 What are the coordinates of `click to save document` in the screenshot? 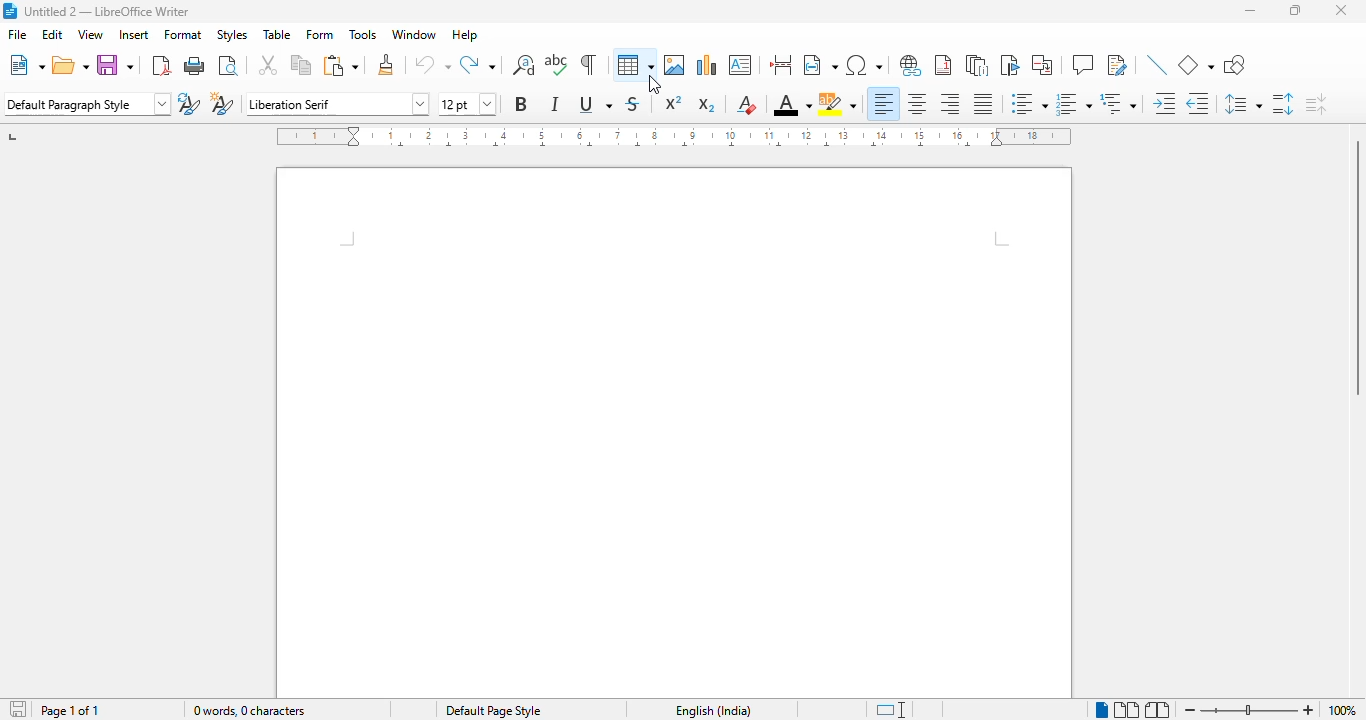 It's located at (19, 708).